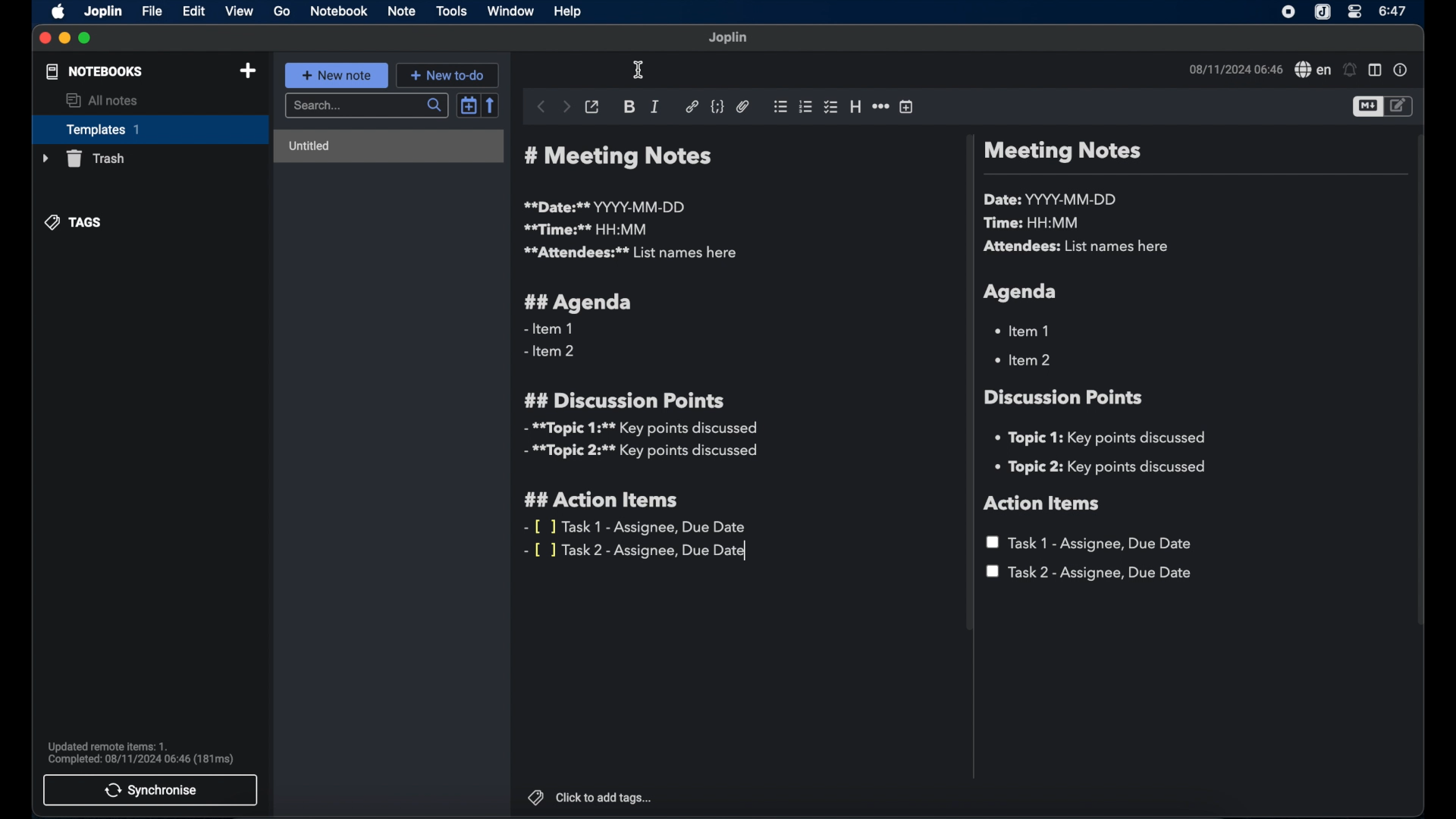 The width and height of the screenshot is (1456, 819). Describe the element at coordinates (692, 106) in the screenshot. I see `hyperlink` at that location.